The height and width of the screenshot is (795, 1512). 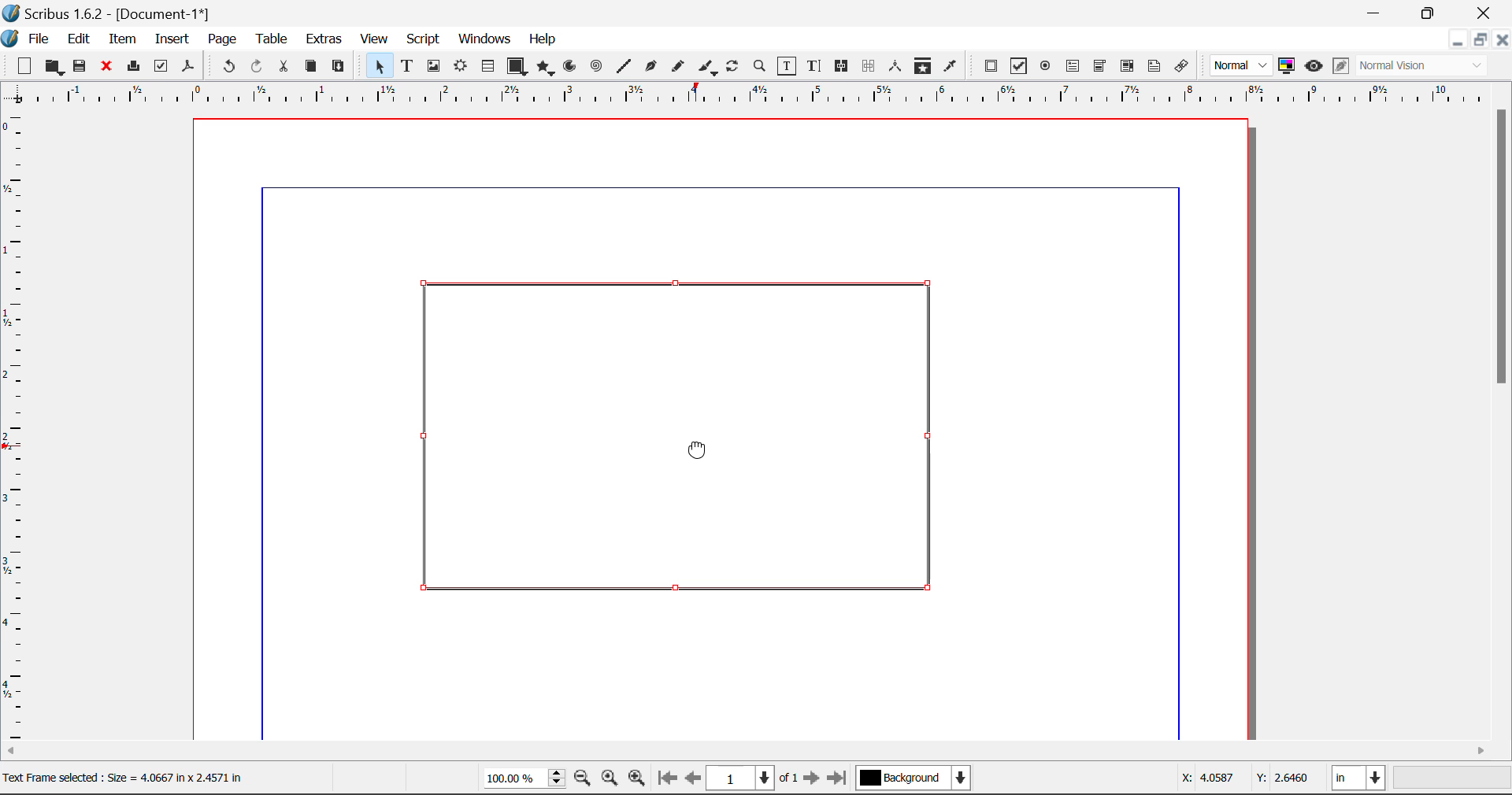 What do you see at coordinates (325, 39) in the screenshot?
I see `Extras` at bounding box center [325, 39].